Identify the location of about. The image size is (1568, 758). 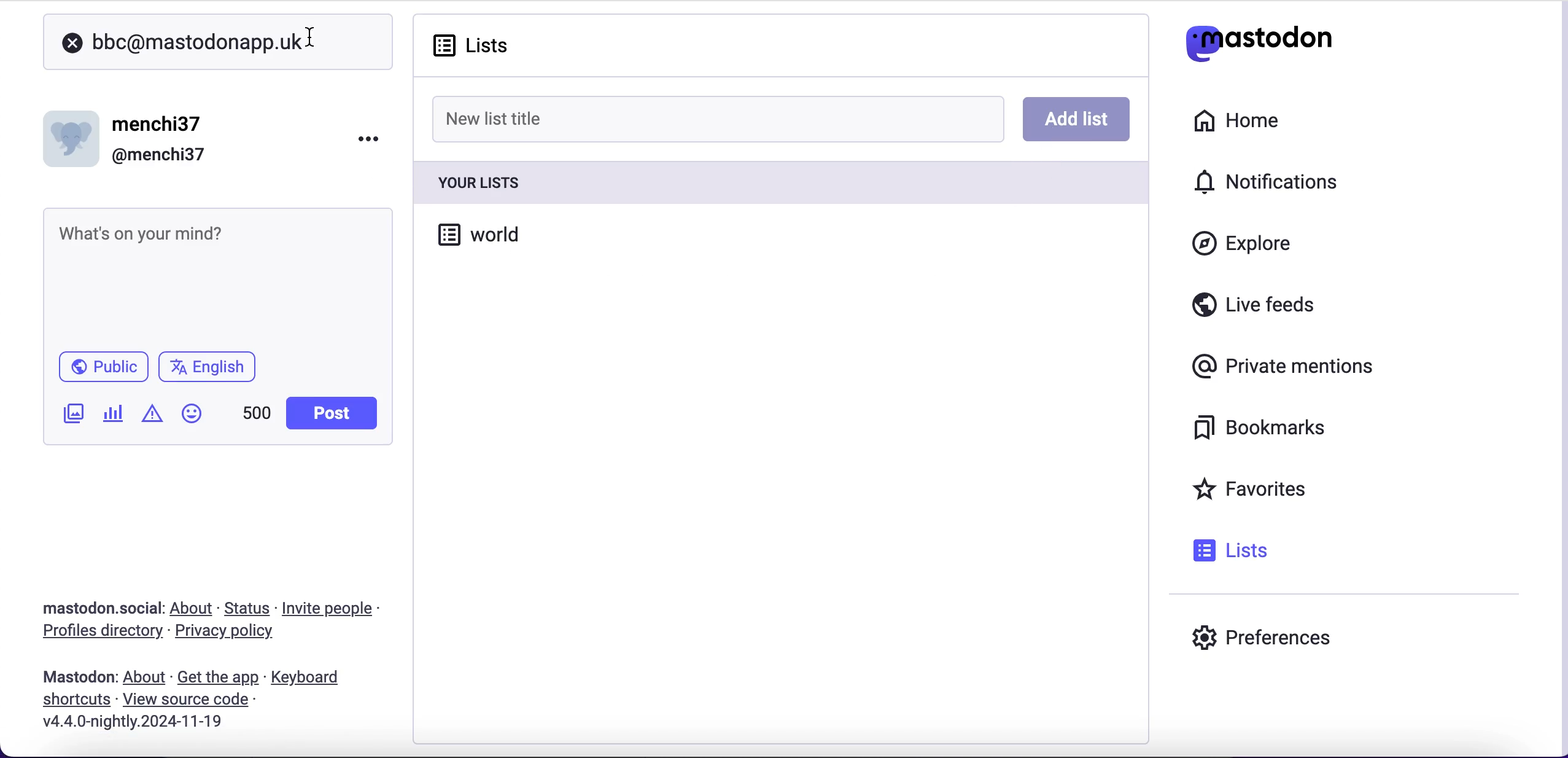
(194, 608).